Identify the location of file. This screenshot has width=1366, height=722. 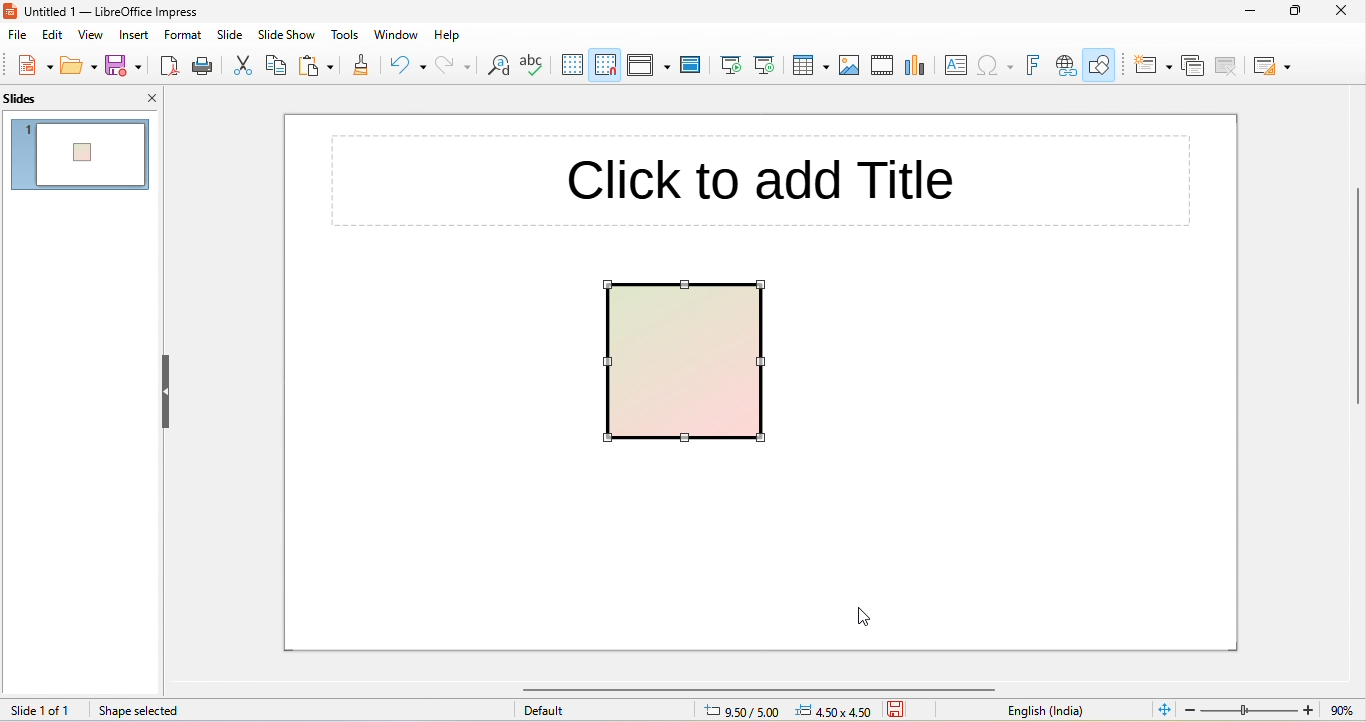
(15, 36).